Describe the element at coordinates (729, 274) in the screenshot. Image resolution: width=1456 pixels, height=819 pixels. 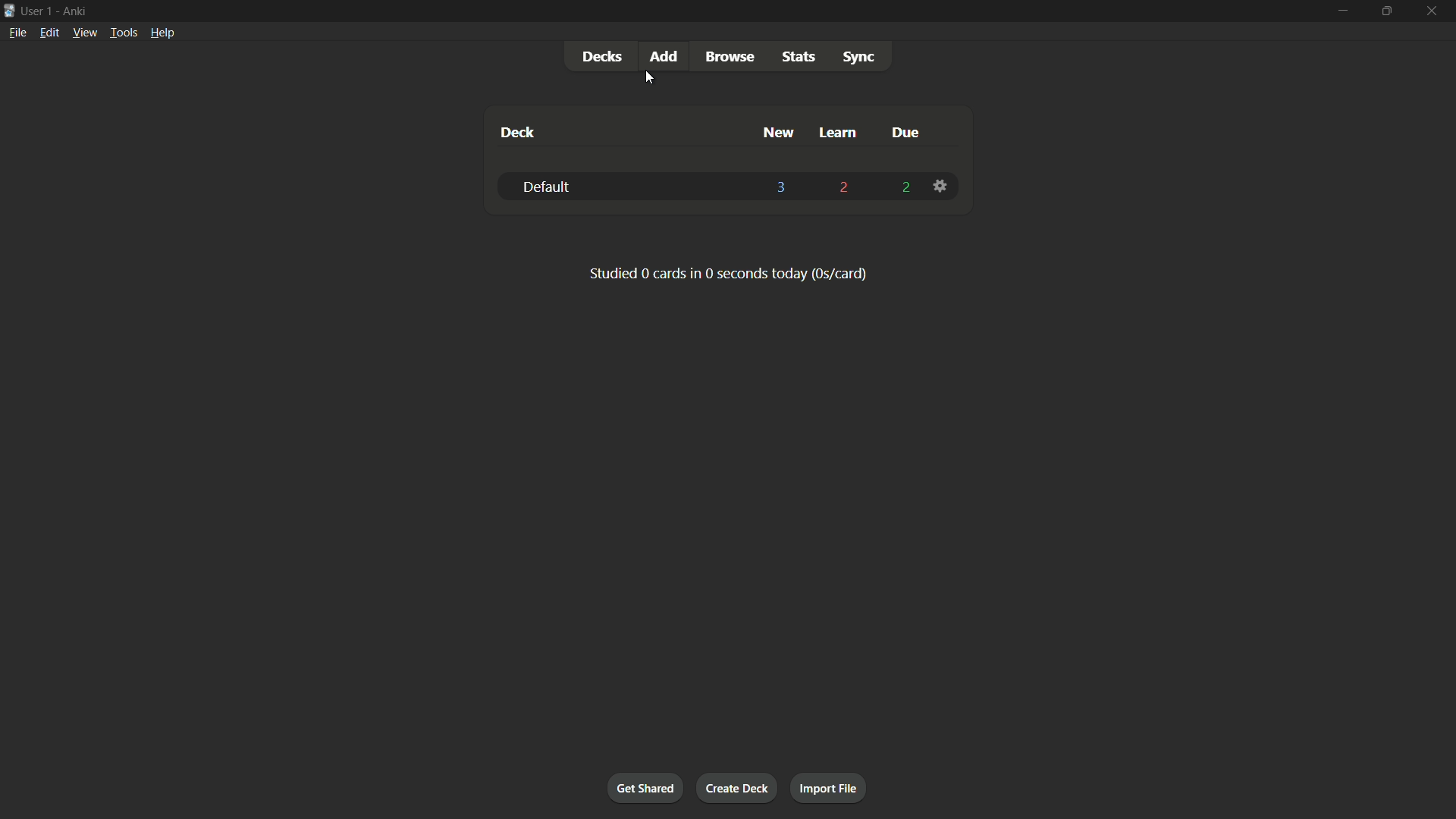
I see `text` at that location.